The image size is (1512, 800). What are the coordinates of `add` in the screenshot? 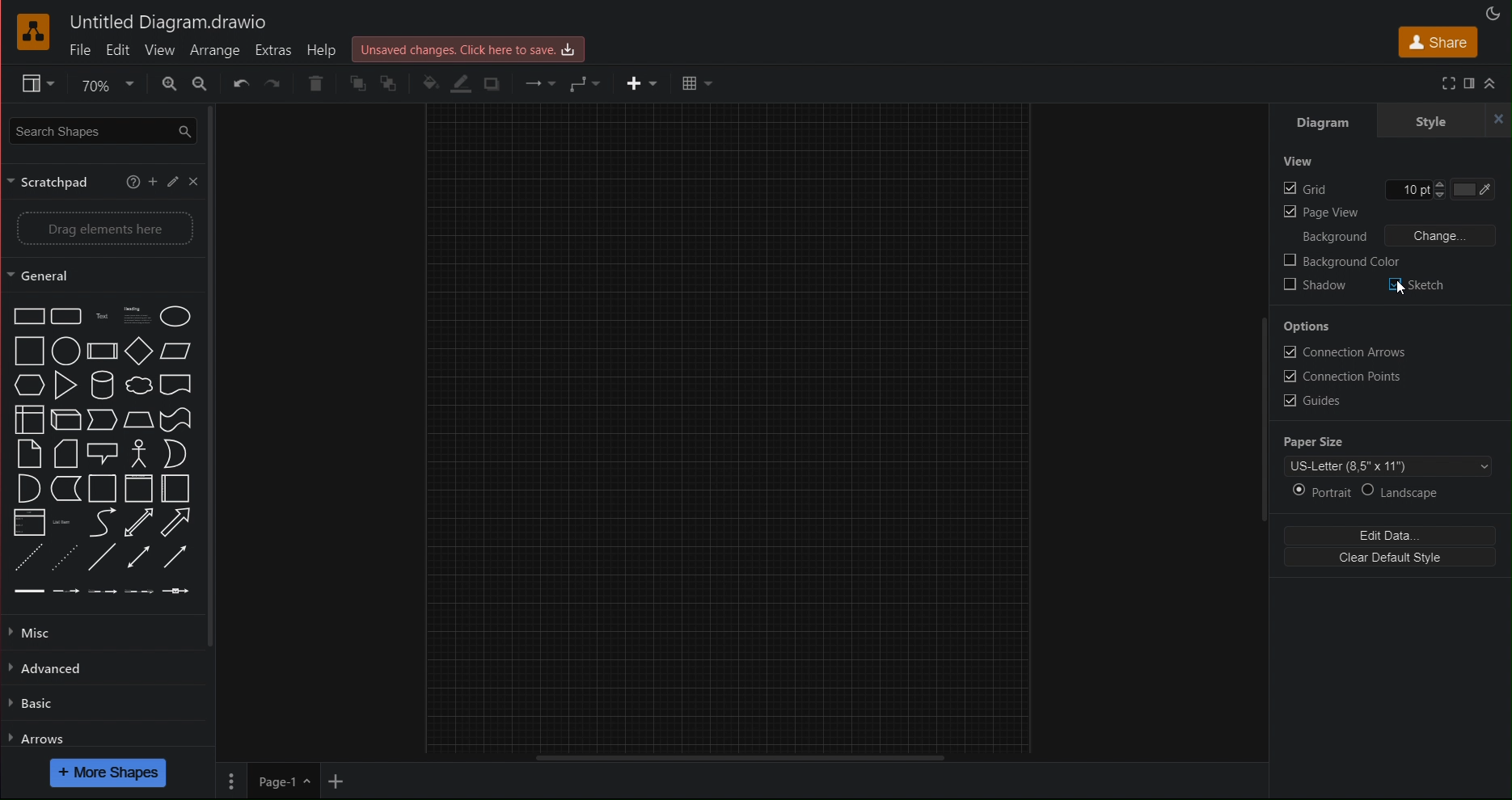 It's located at (153, 184).